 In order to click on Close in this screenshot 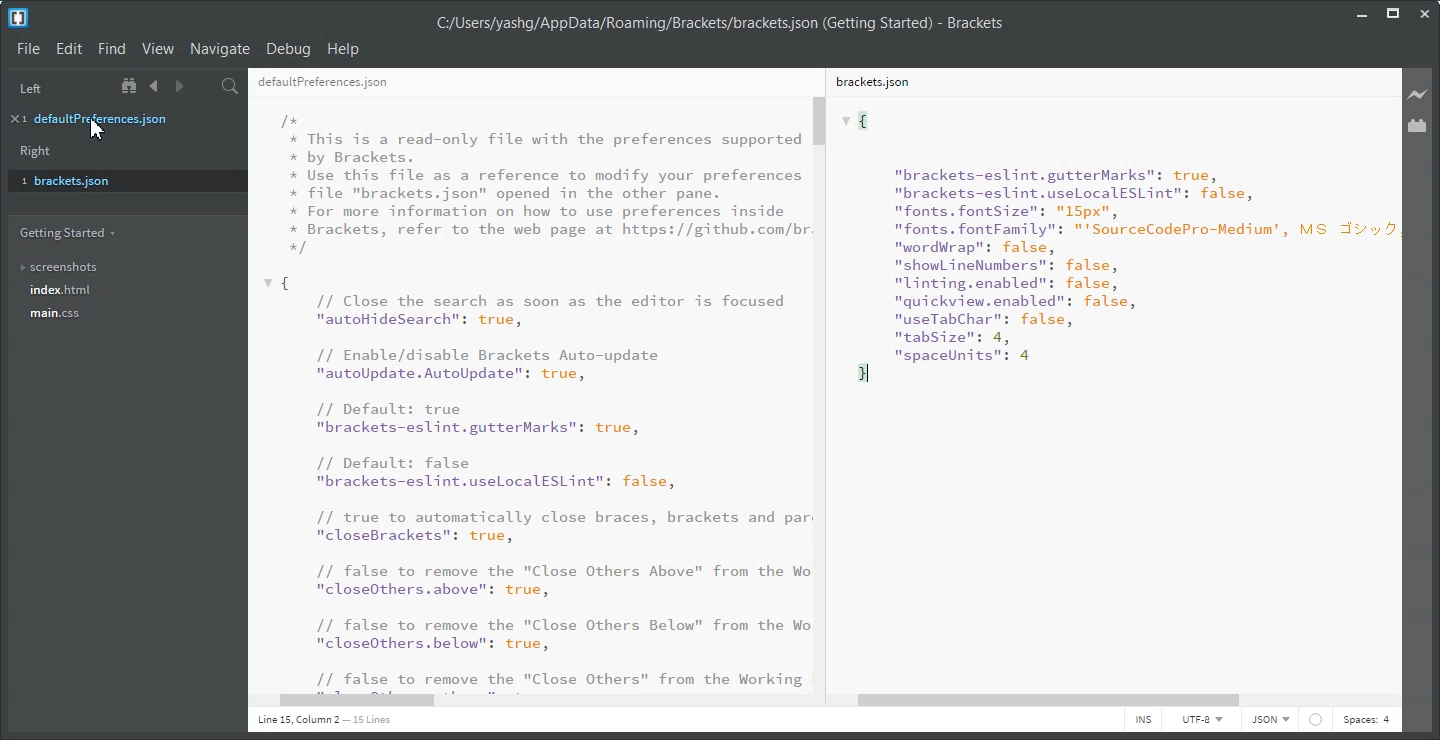, I will do `click(1424, 14)`.